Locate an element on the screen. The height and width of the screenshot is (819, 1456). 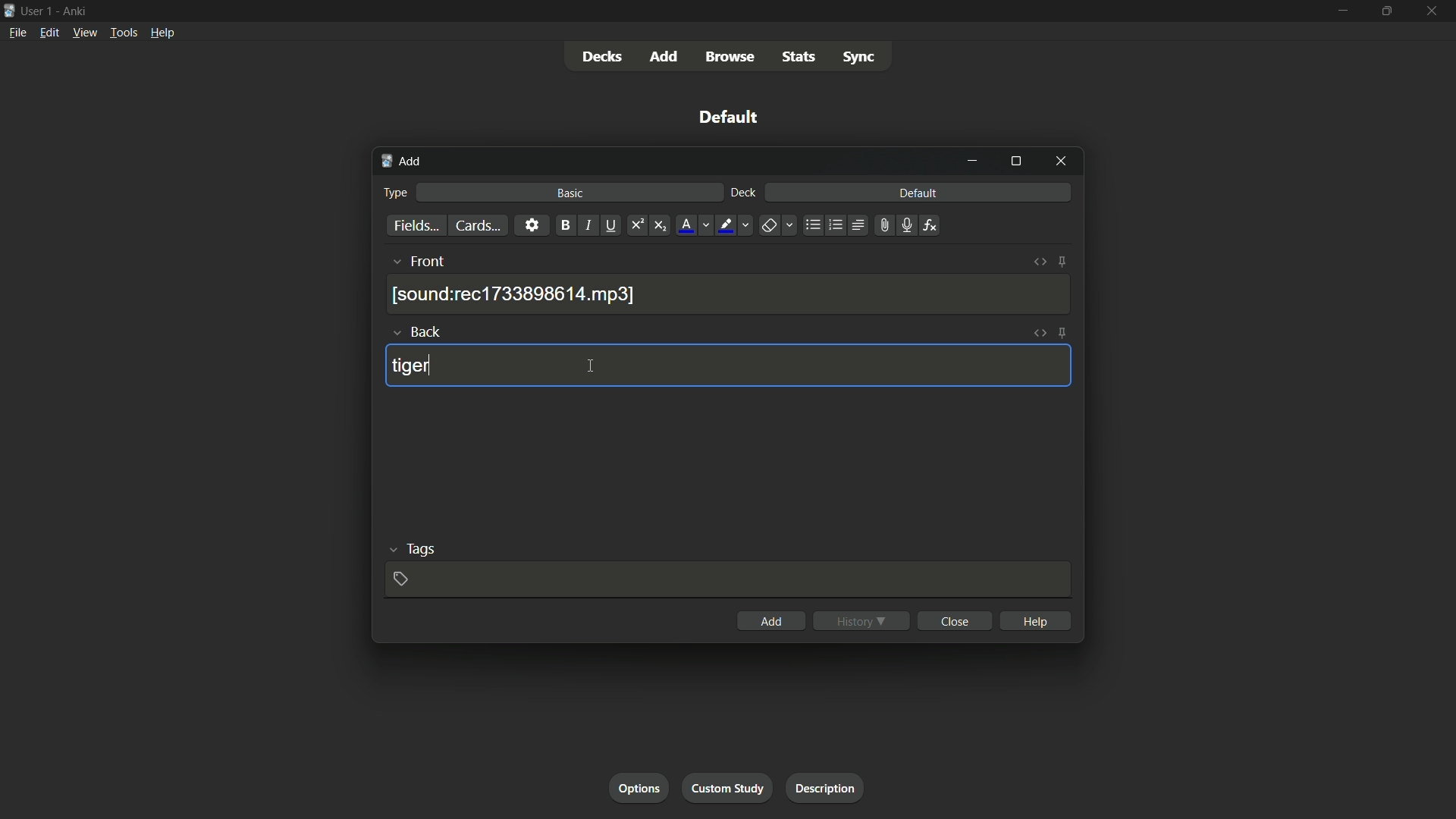
deck is located at coordinates (742, 193).